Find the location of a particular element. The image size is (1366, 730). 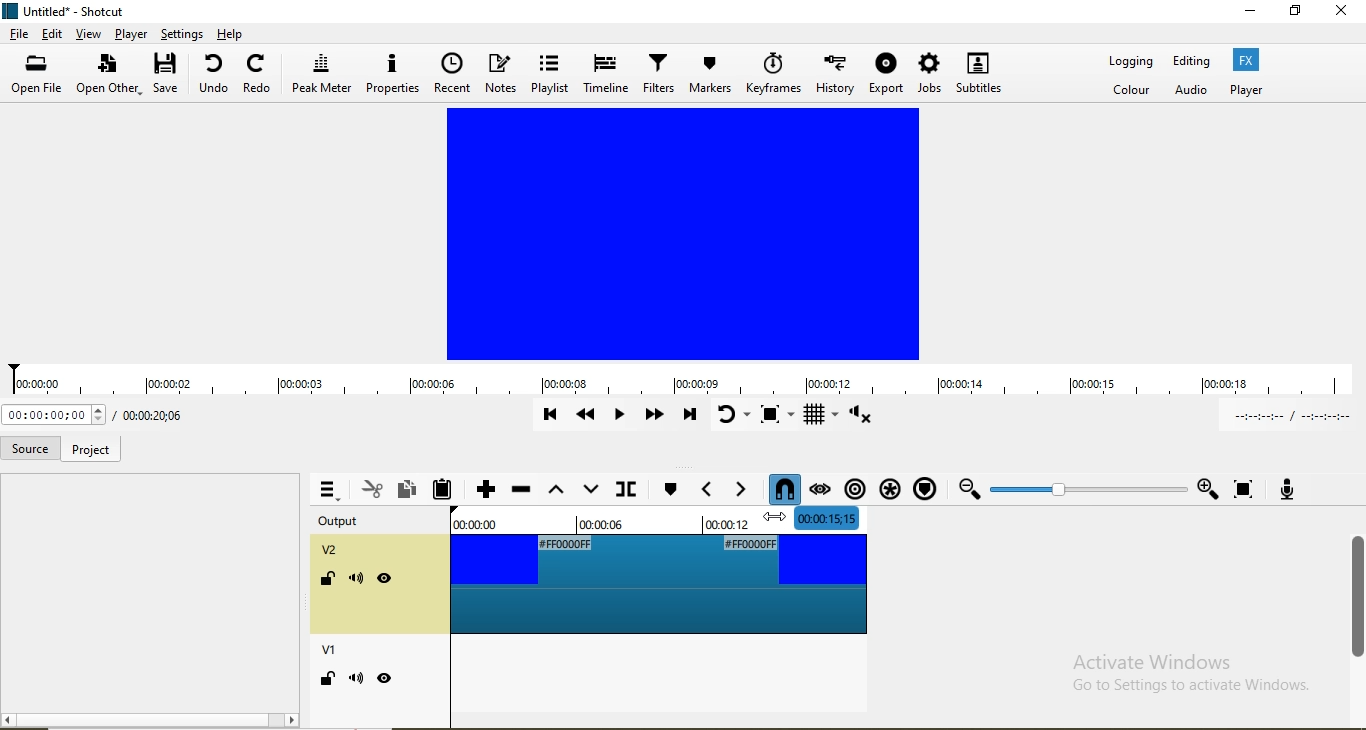

settings is located at coordinates (181, 33).